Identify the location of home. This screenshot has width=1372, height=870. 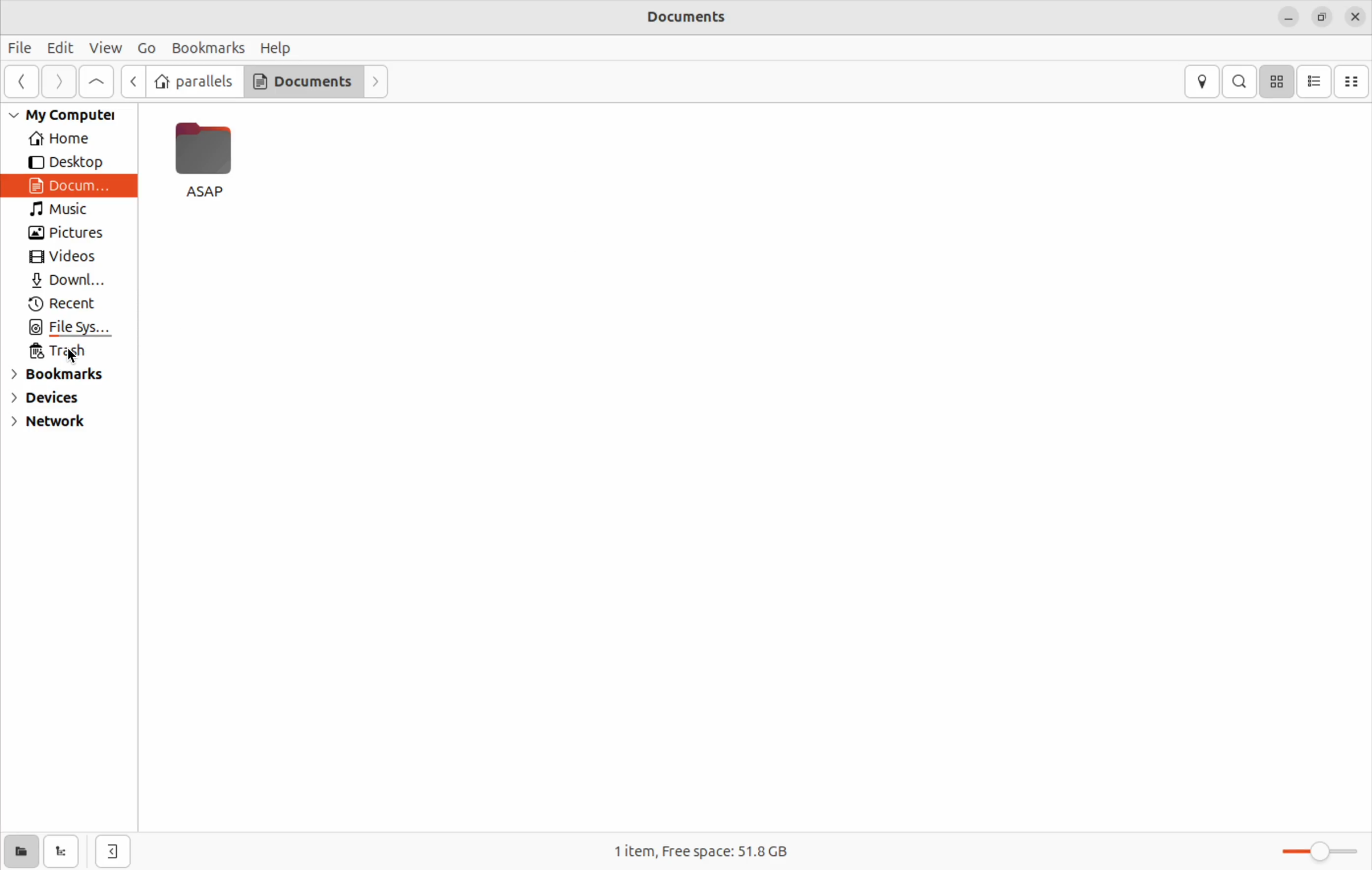
(64, 140).